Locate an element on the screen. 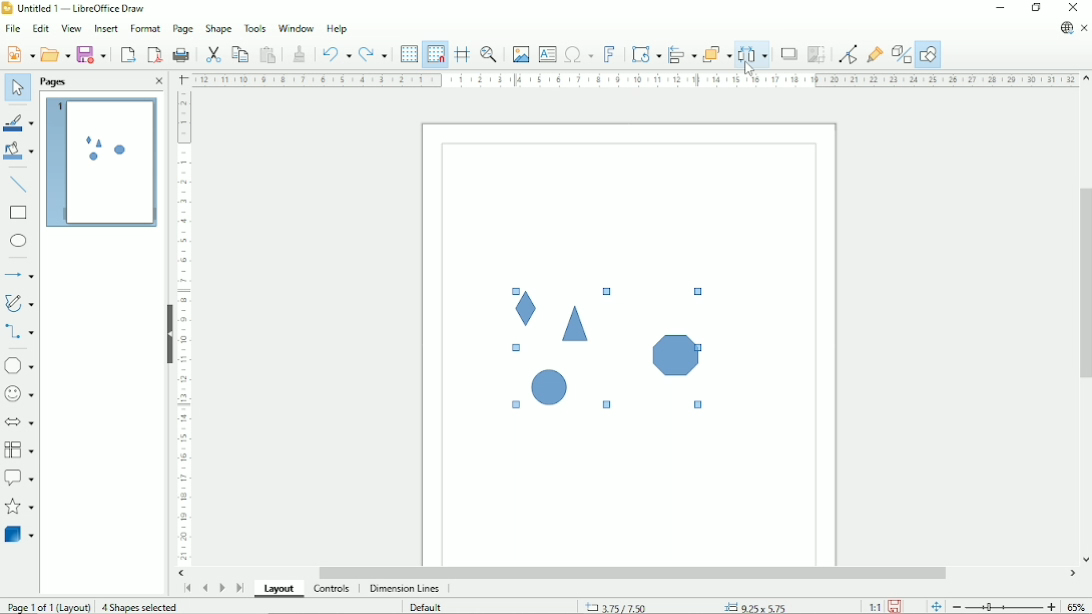 The image size is (1092, 614). Restore down is located at coordinates (1038, 9).